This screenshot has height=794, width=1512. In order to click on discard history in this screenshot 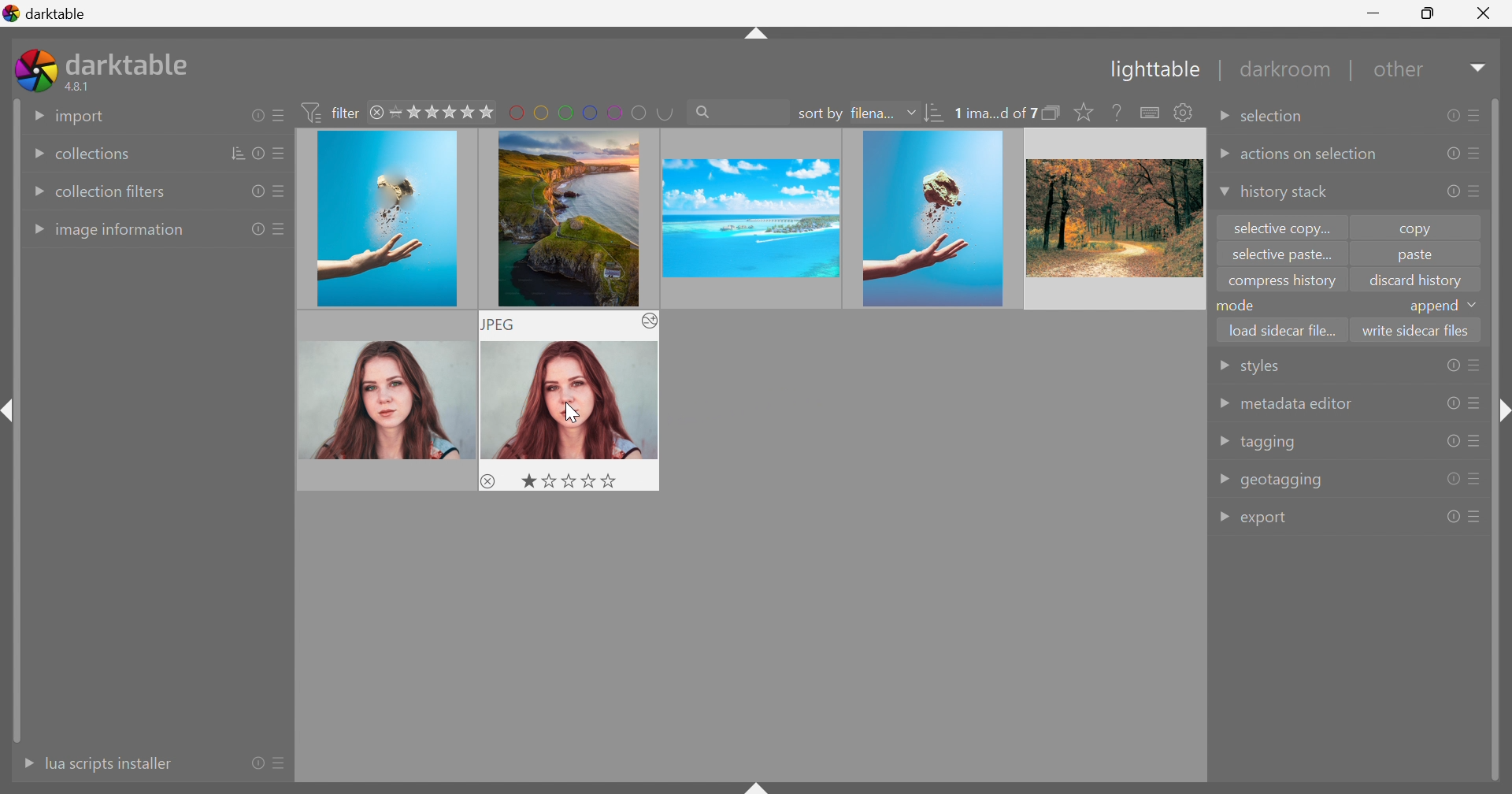, I will do `click(1416, 280)`.